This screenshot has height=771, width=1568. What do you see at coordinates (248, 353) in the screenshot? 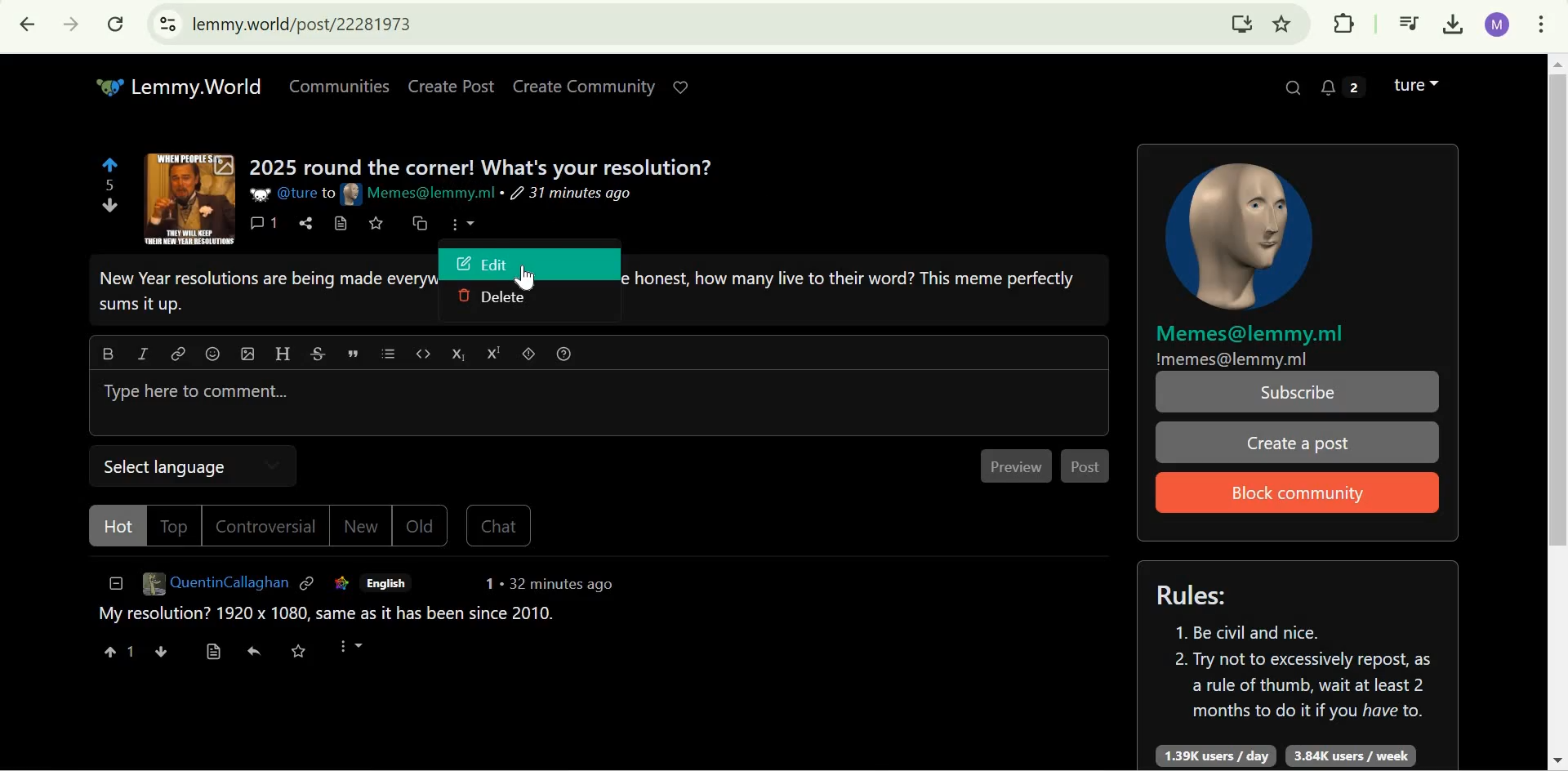
I see `upload image` at bounding box center [248, 353].